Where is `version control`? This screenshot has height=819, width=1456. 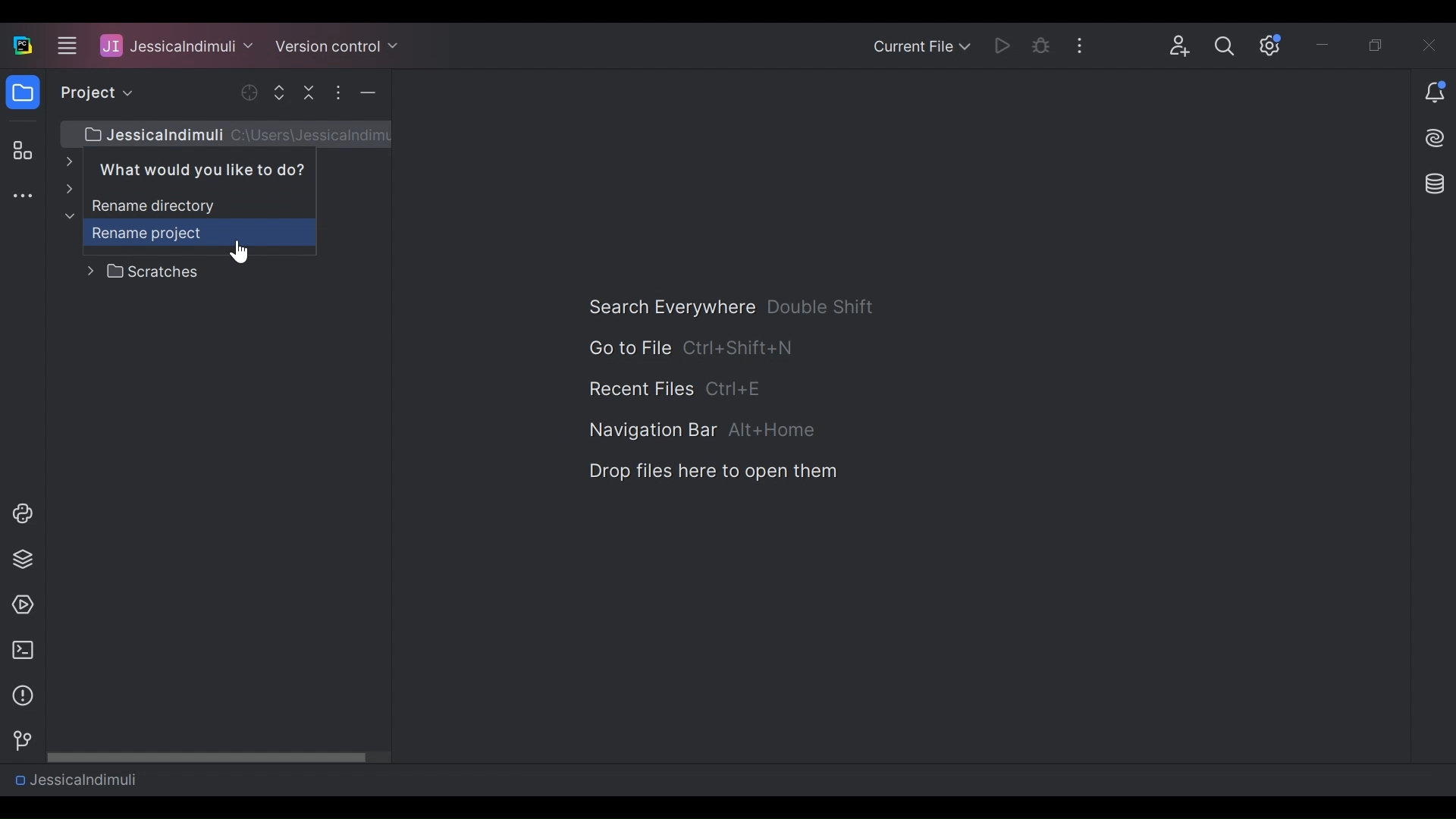
version control is located at coordinates (18, 741).